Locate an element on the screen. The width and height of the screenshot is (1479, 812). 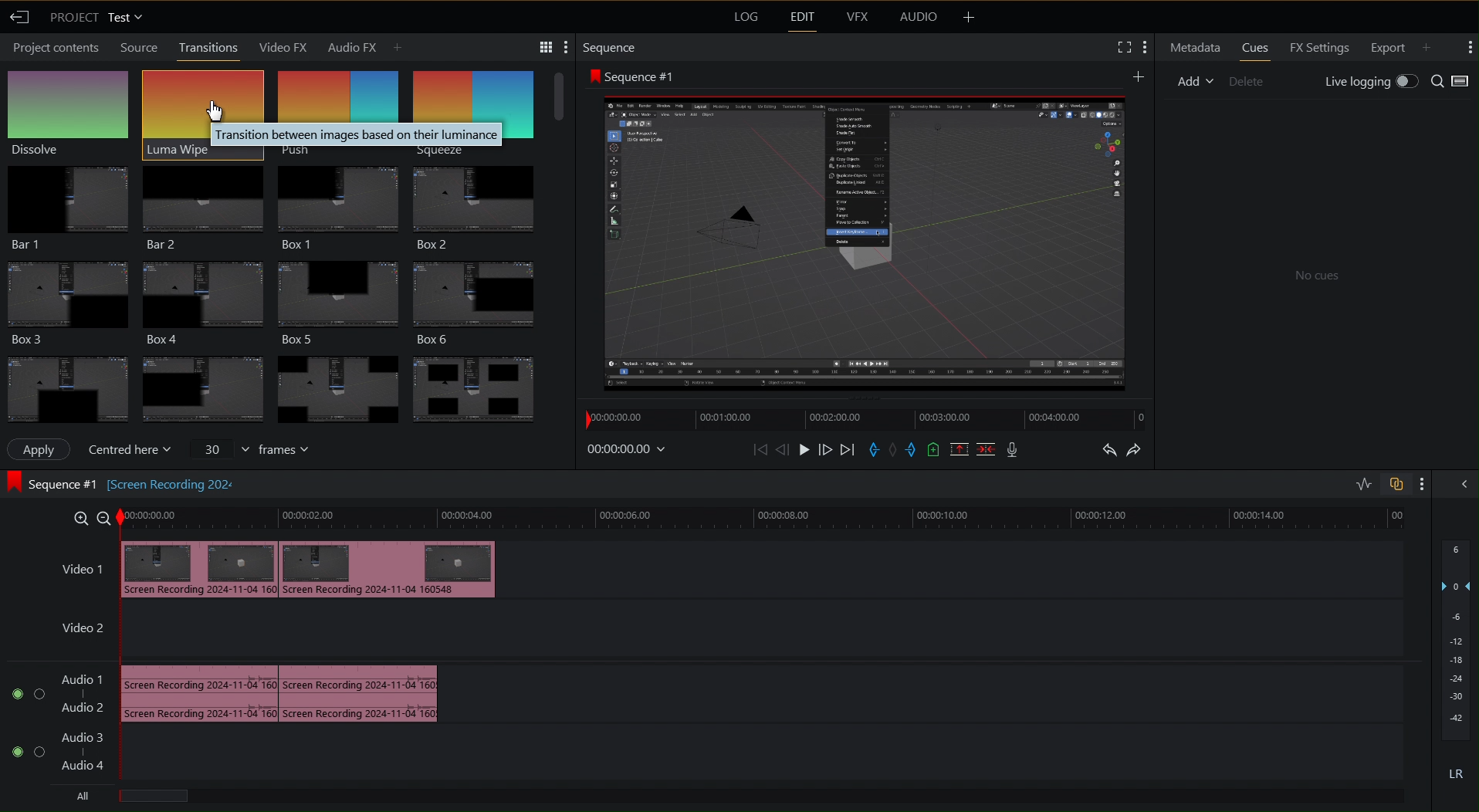
Zoom is located at coordinates (88, 517).